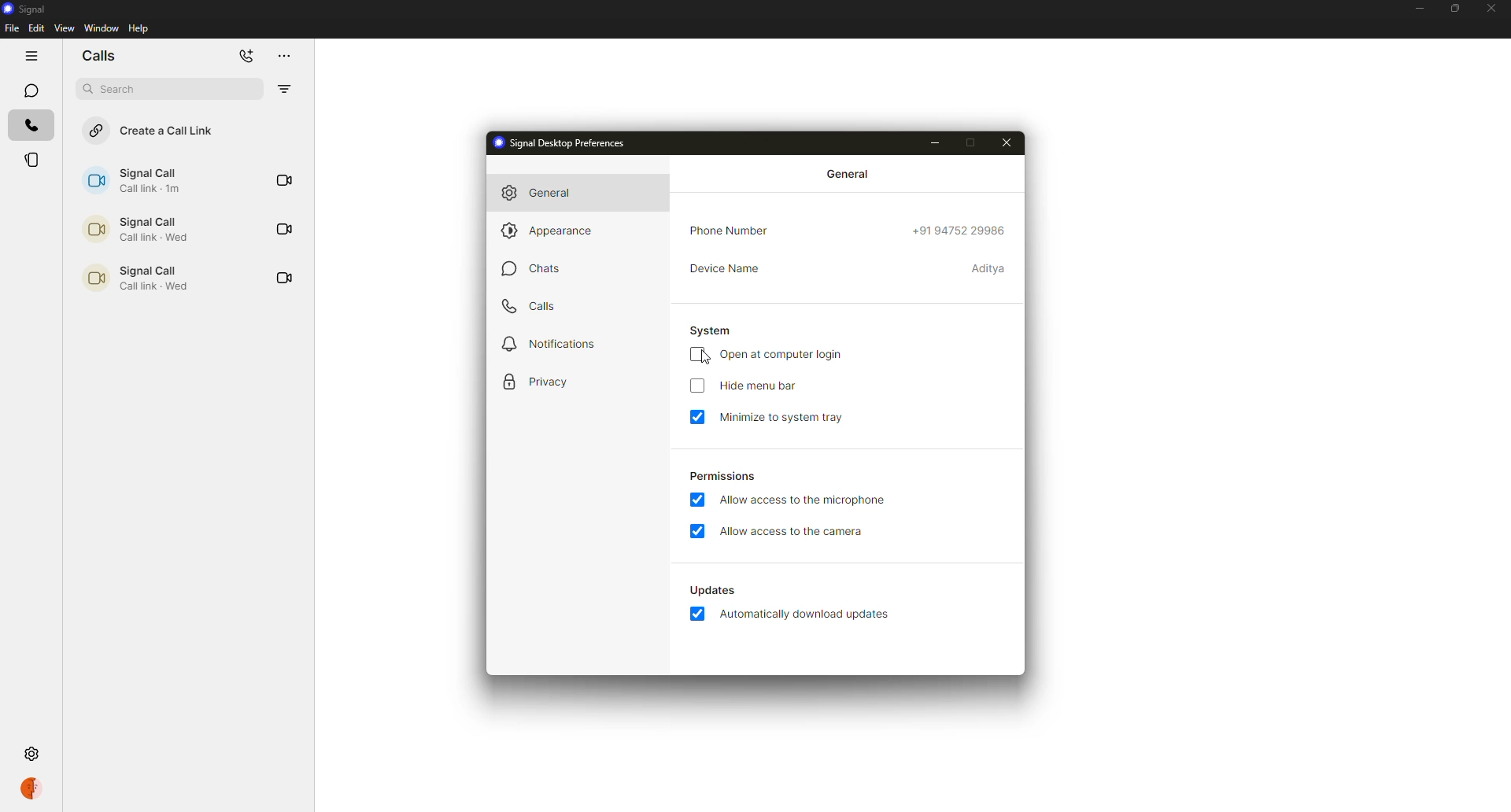  I want to click on enabled, so click(699, 615).